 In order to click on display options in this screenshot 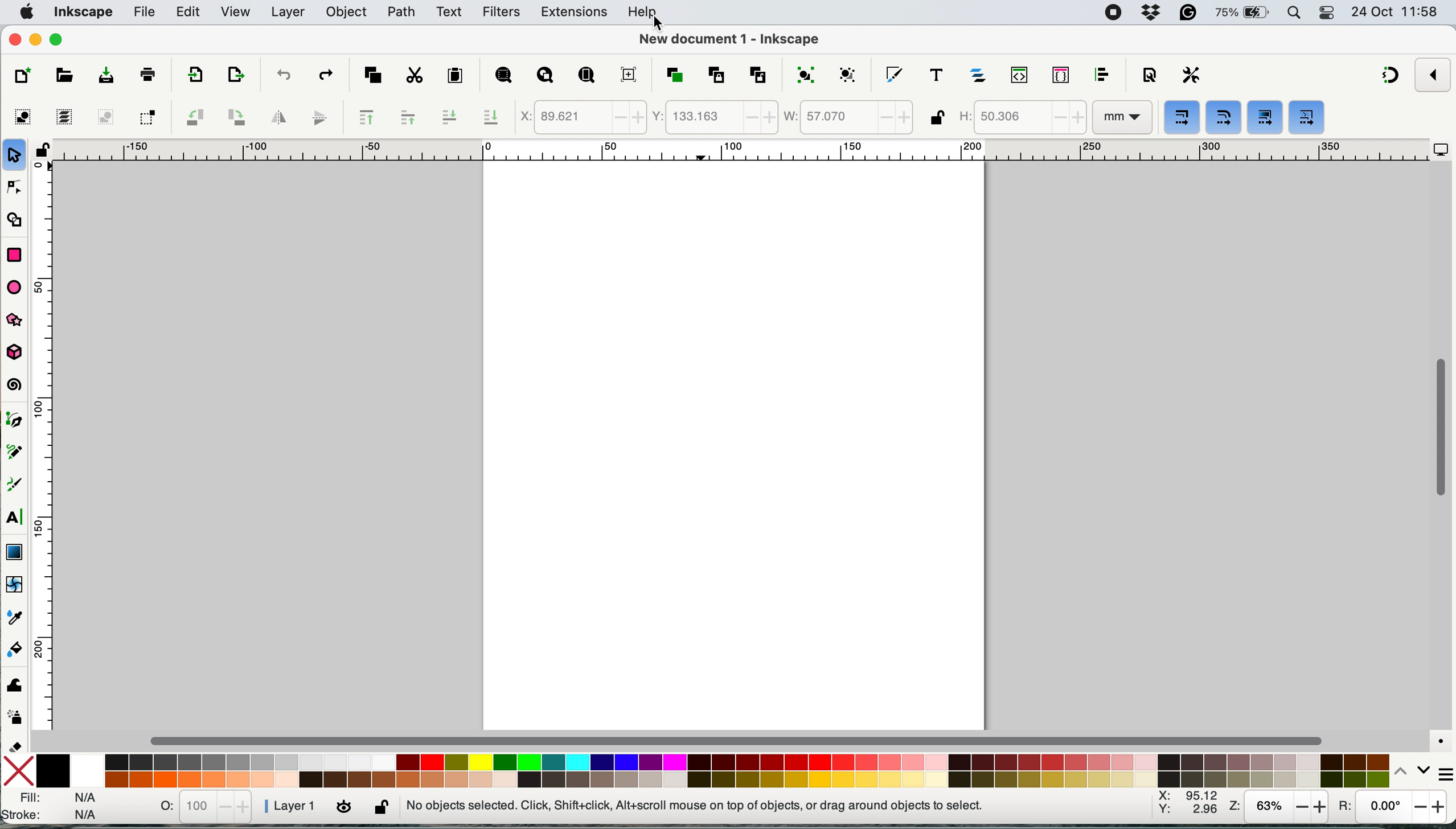, I will do `click(1440, 149)`.